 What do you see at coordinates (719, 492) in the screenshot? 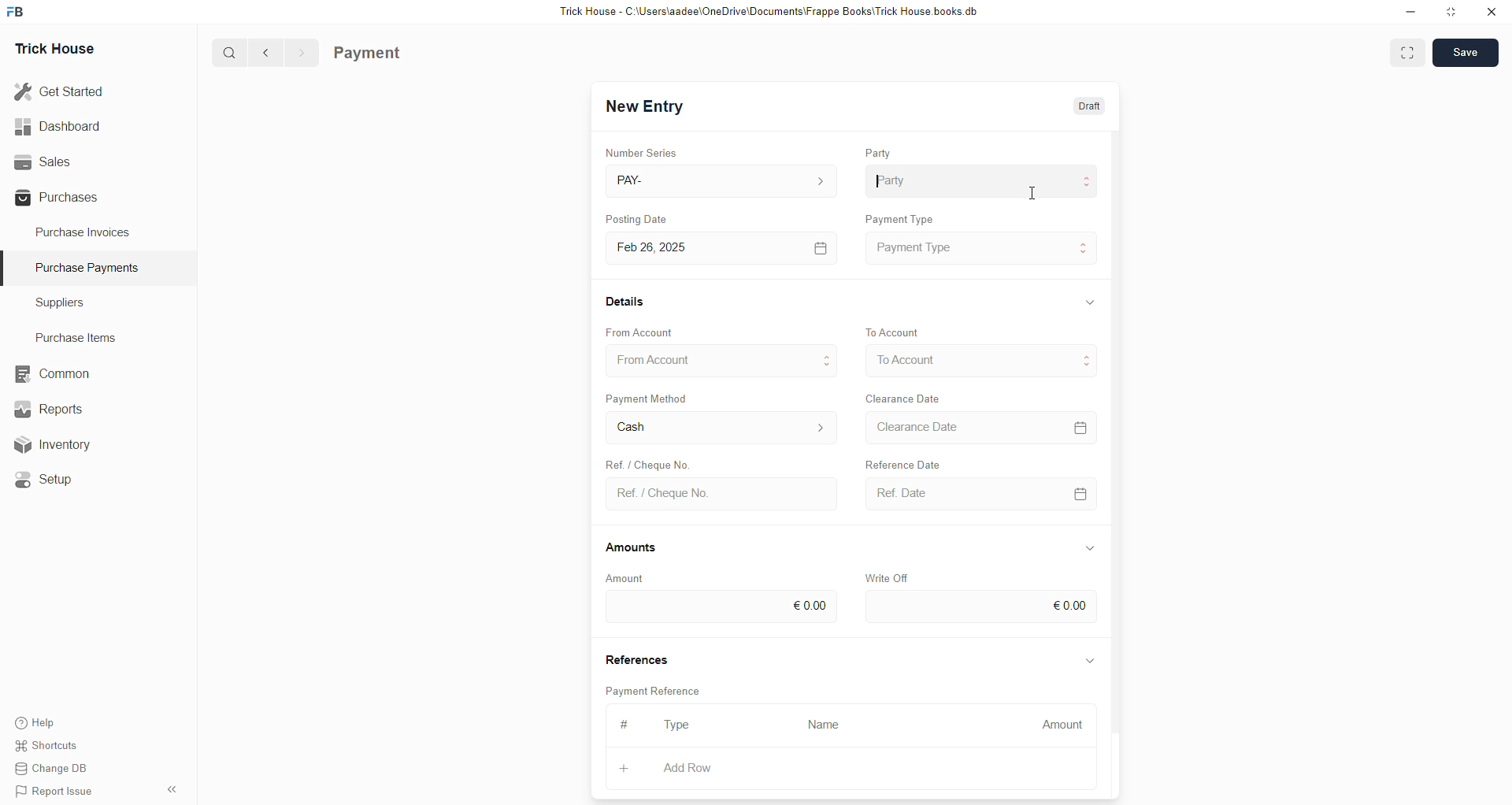
I see `Ref. / Cheque No.` at bounding box center [719, 492].